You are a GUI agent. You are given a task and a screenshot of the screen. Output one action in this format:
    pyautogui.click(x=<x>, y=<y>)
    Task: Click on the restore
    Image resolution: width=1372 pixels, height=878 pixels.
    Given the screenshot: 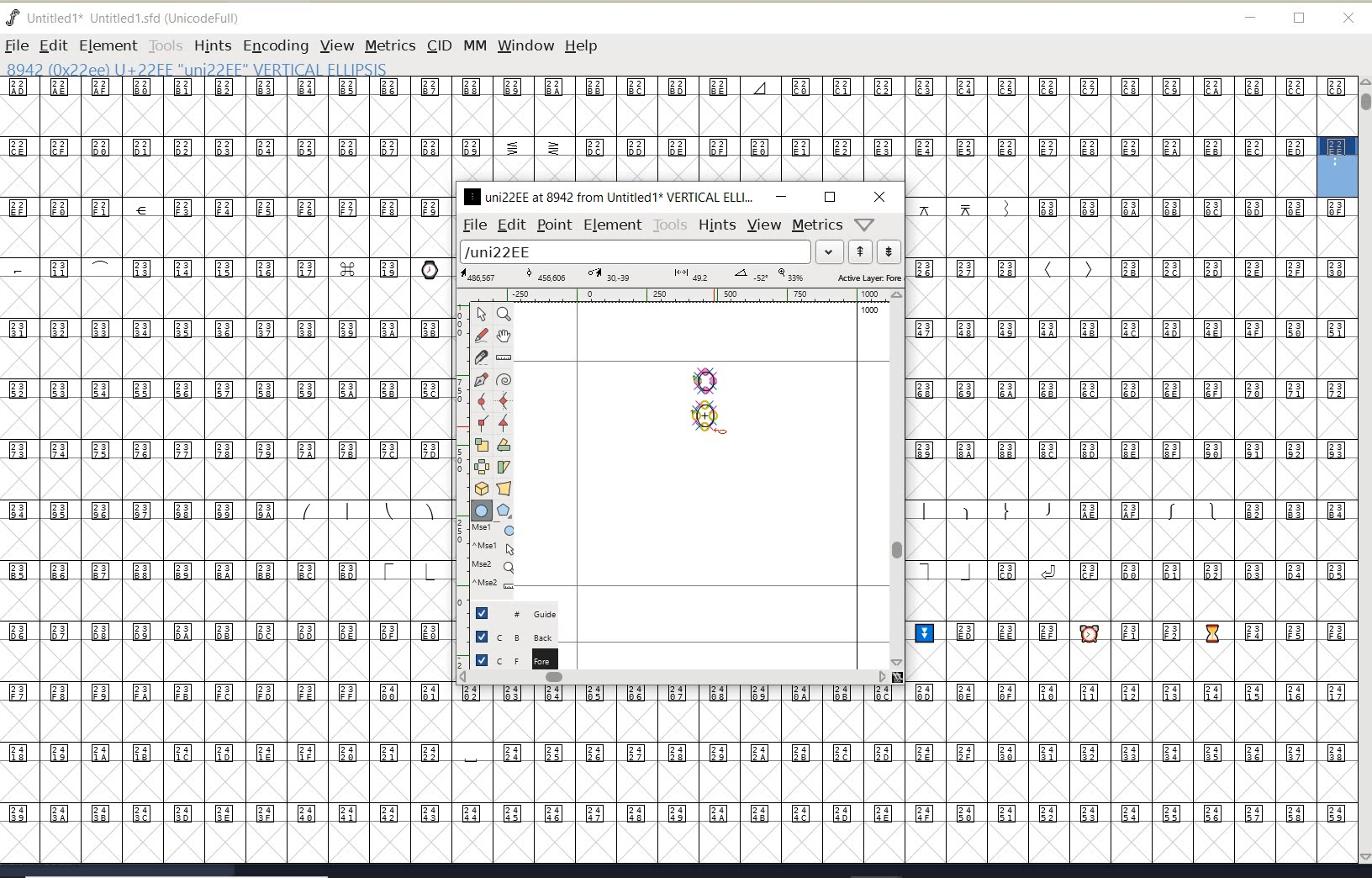 What is the action you would take?
    pyautogui.click(x=1300, y=19)
    